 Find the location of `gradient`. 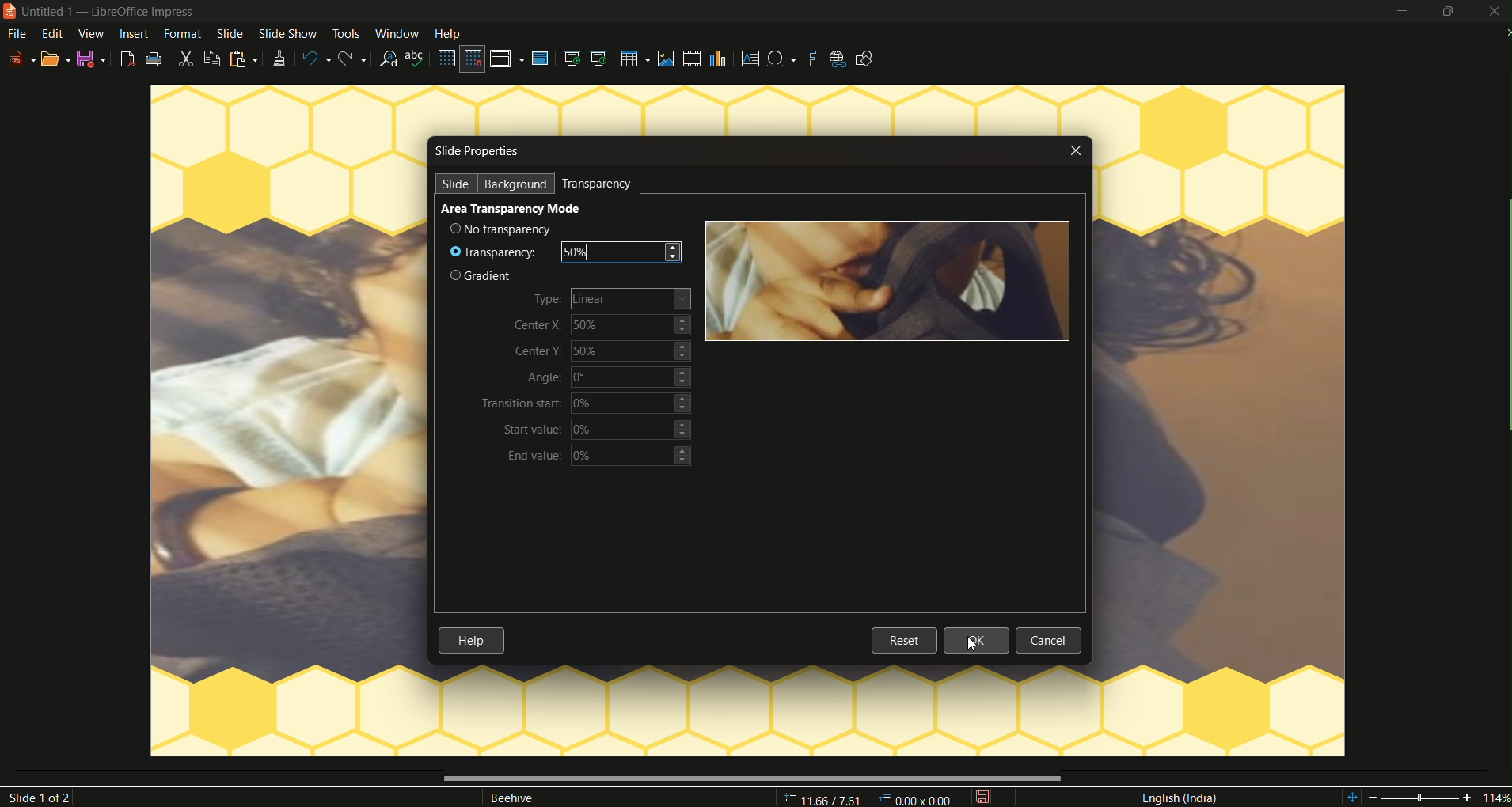

gradient is located at coordinates (485, 277).